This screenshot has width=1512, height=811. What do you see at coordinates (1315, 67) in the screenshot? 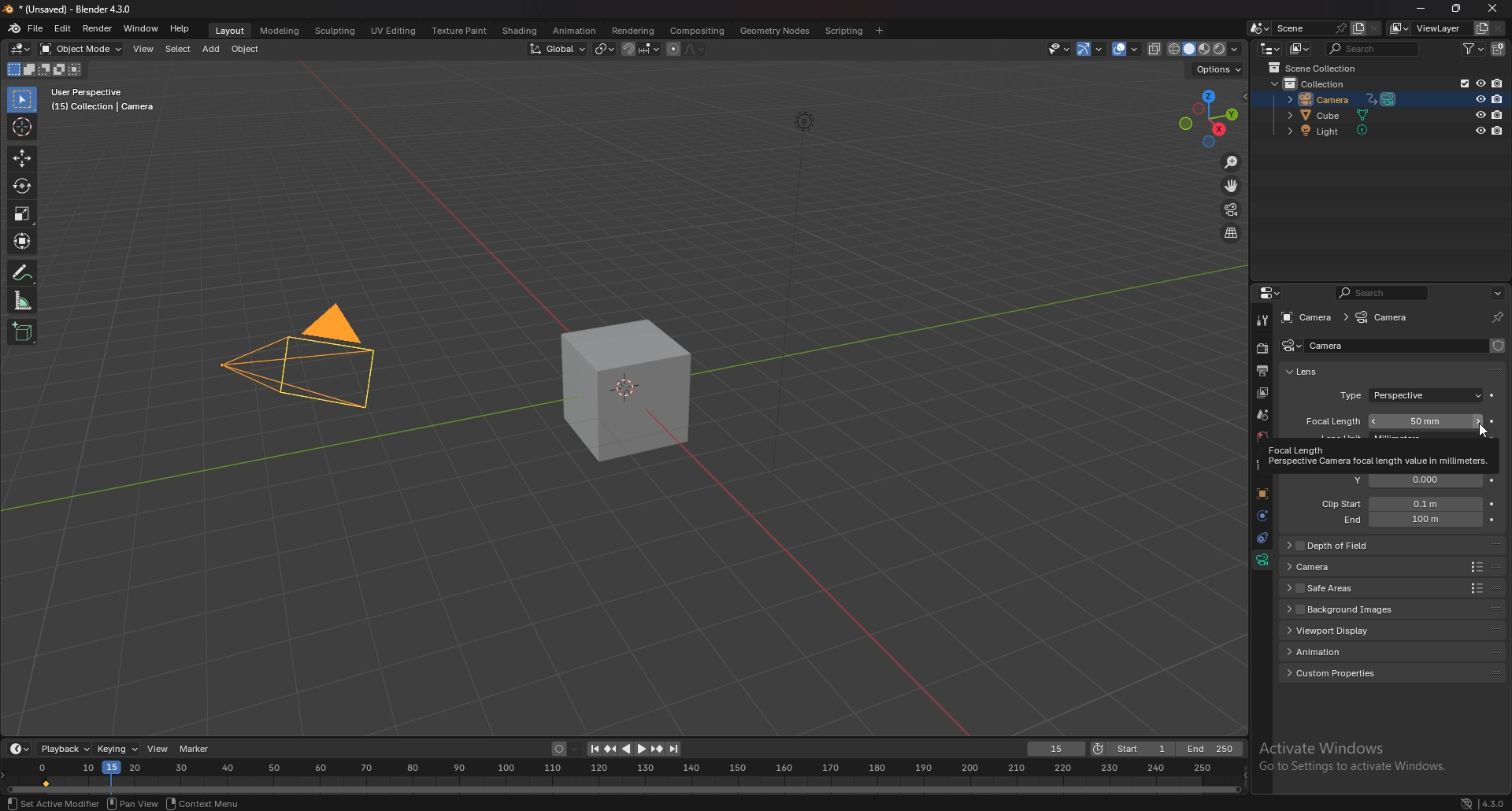
I see `scene collection` at bounding box center [1315, 67].